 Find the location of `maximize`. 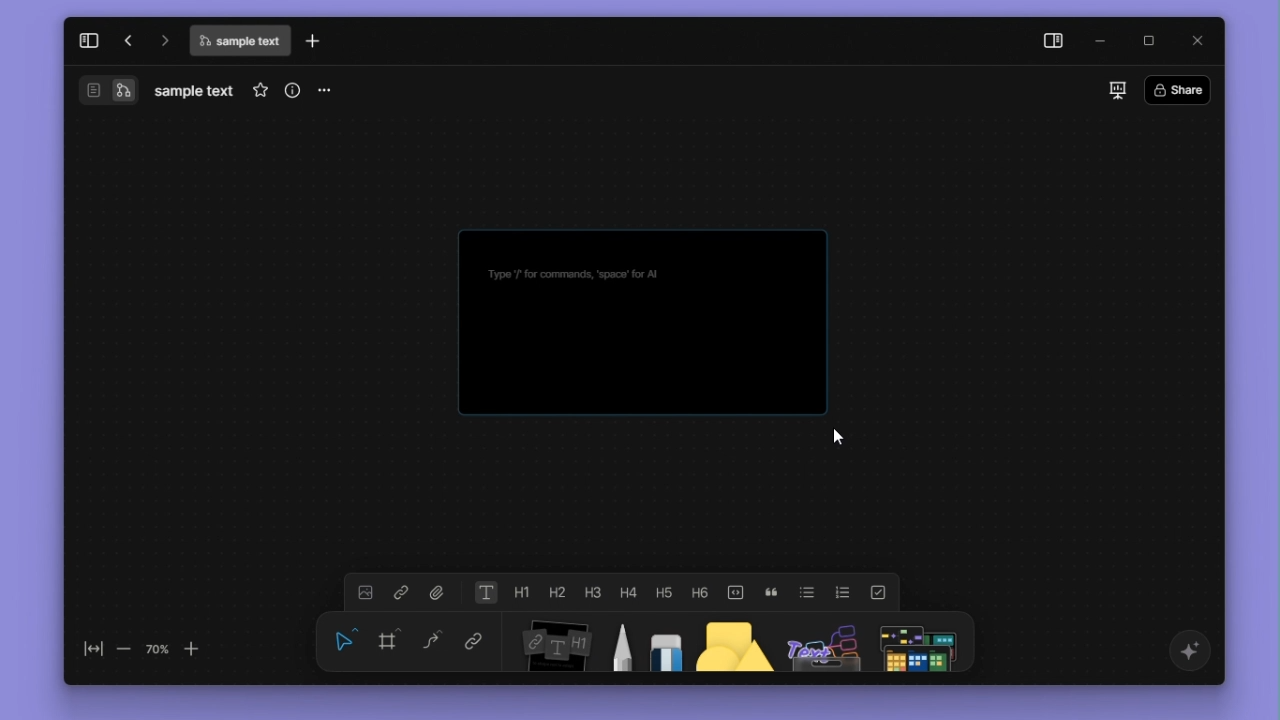

maximize is located at coordinates (1151, 39).